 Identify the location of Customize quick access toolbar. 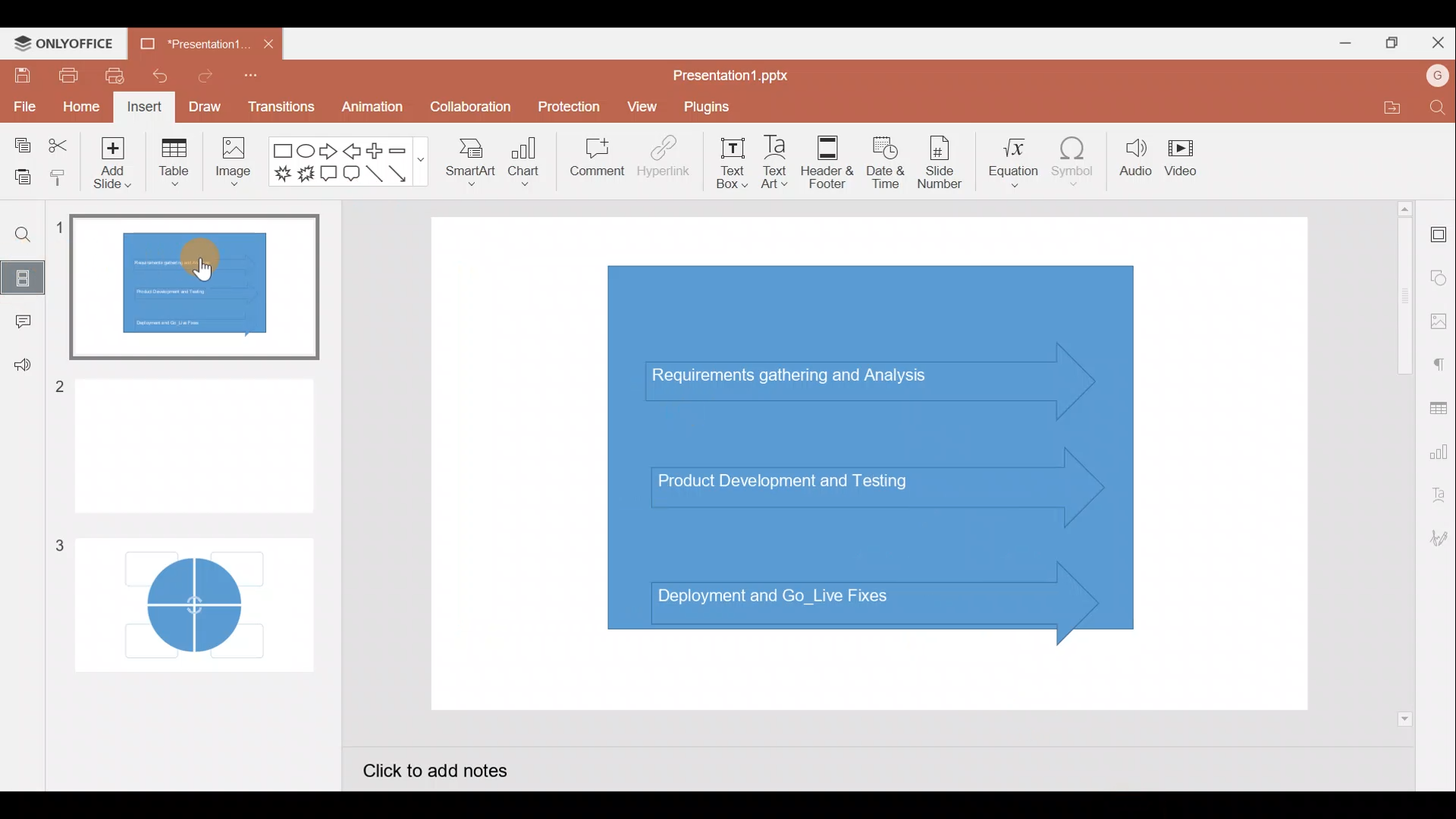
(249, 79).